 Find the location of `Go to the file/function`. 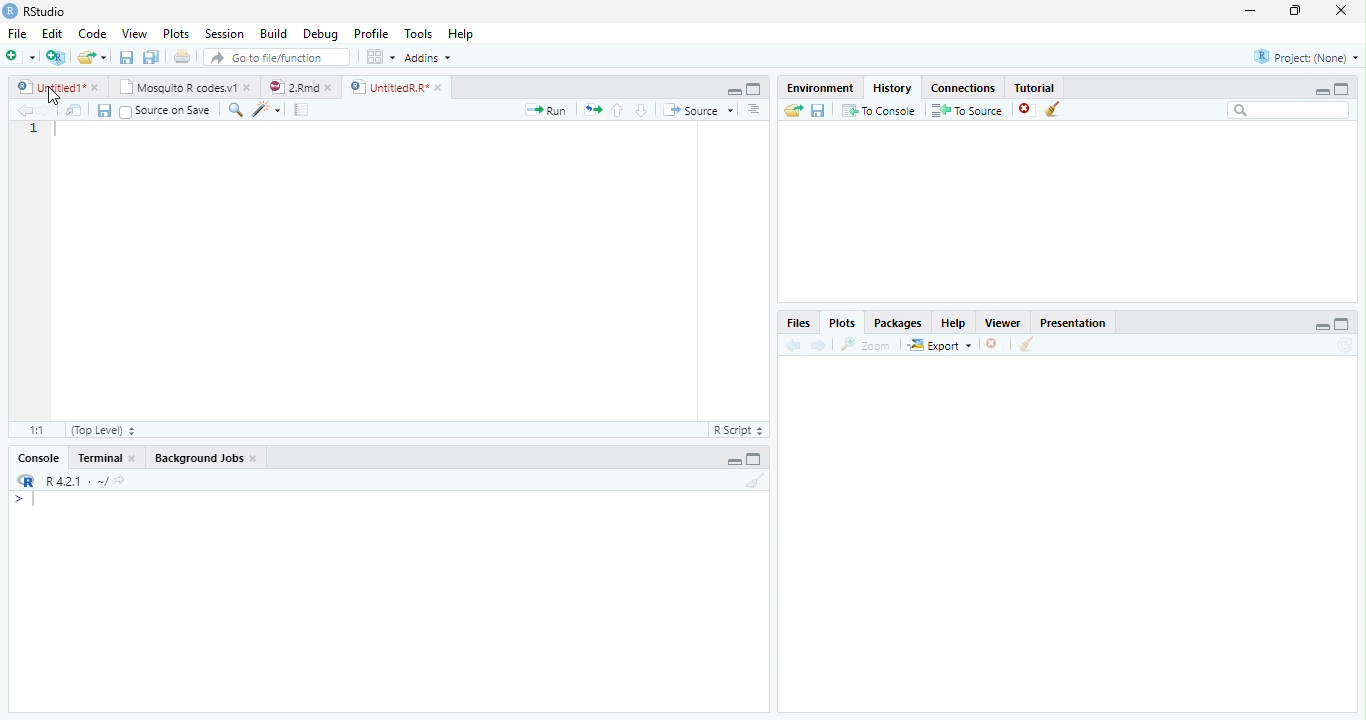

Go to the file/function is located at coordinates (278, 58).